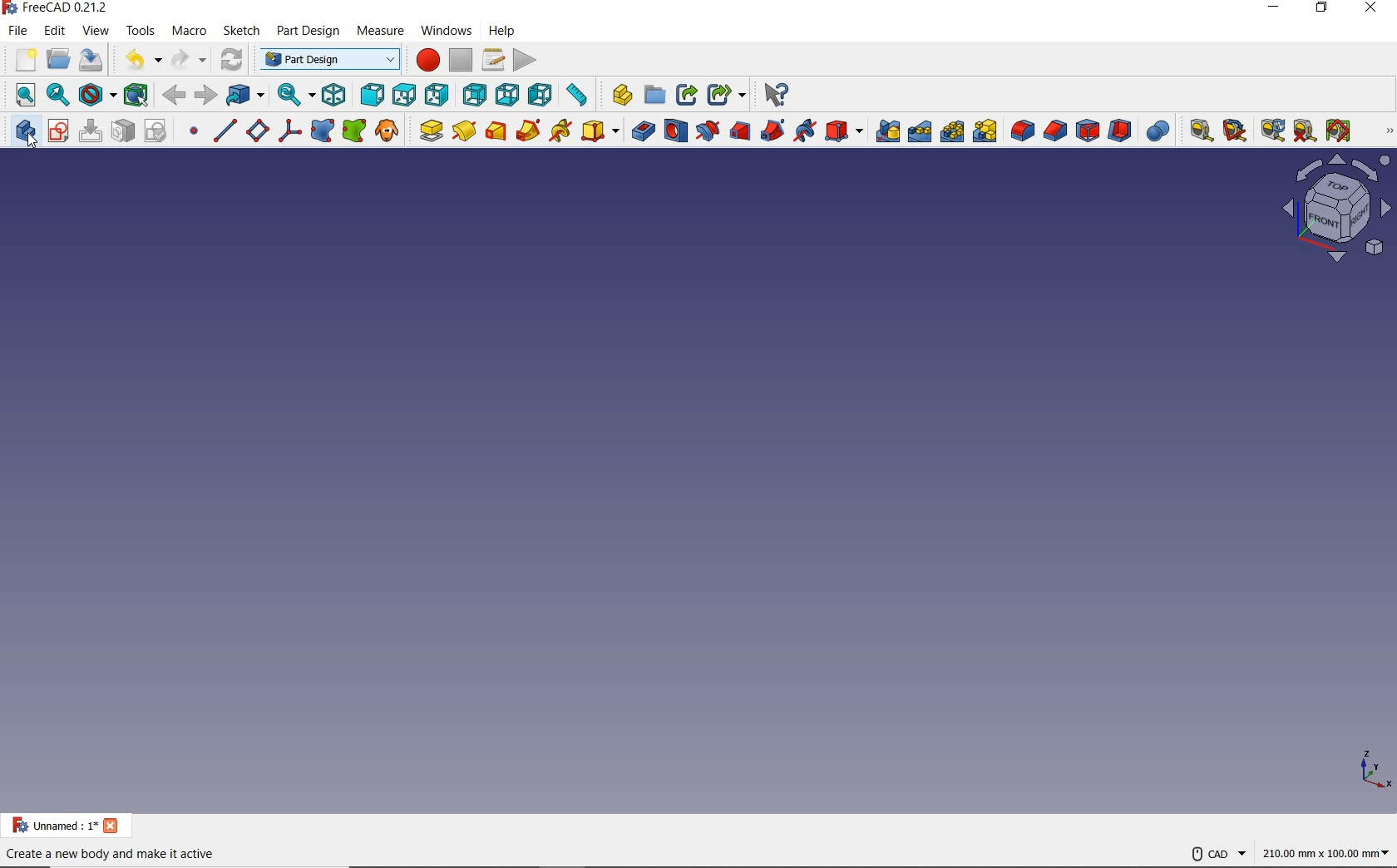  Describe the element at coordinates (175, 95) in the screenshot. I see `back` at that location.